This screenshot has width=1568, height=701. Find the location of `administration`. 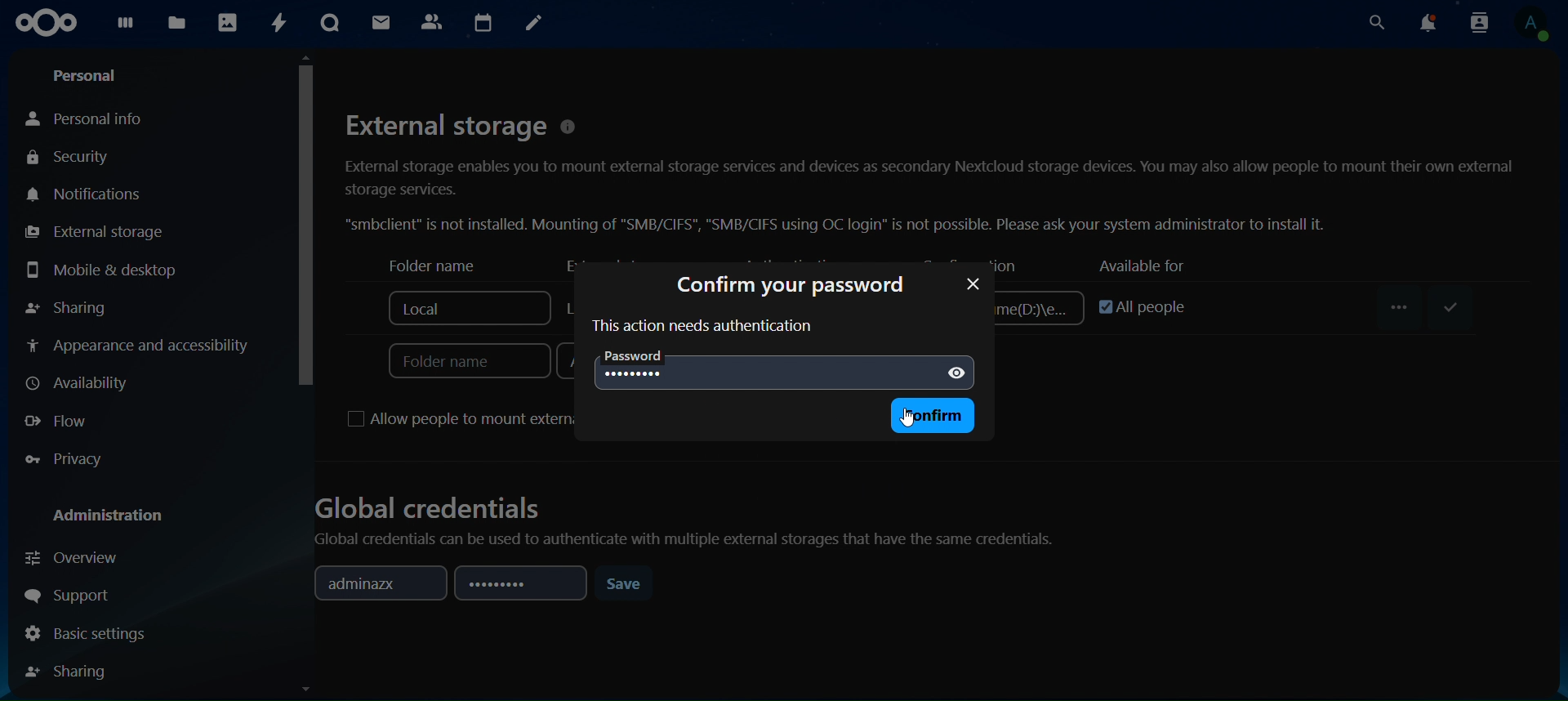

administration is located at coordinates (109, 517).